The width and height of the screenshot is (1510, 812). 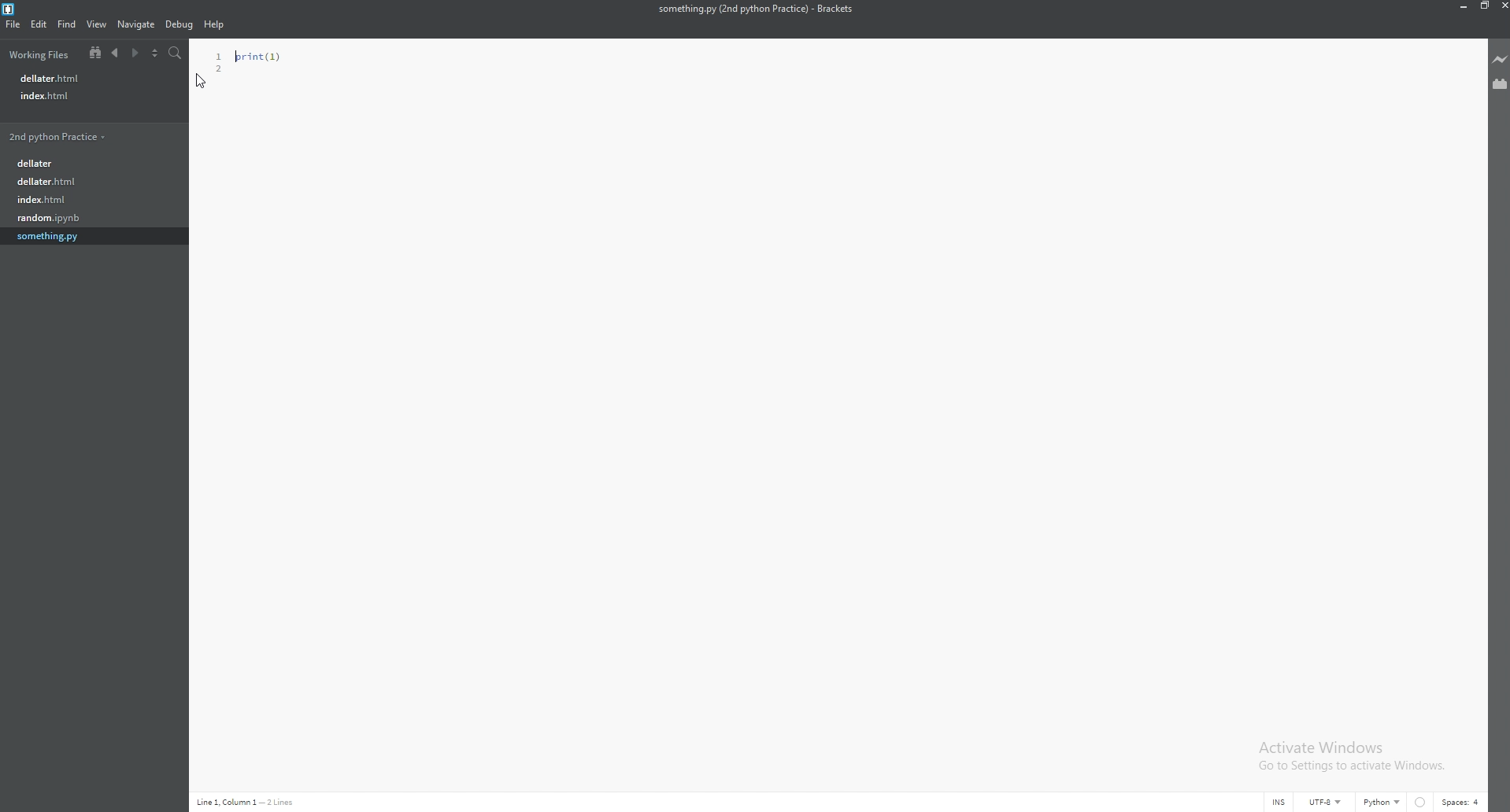 I want to click on next, so click(x=133, y=53).